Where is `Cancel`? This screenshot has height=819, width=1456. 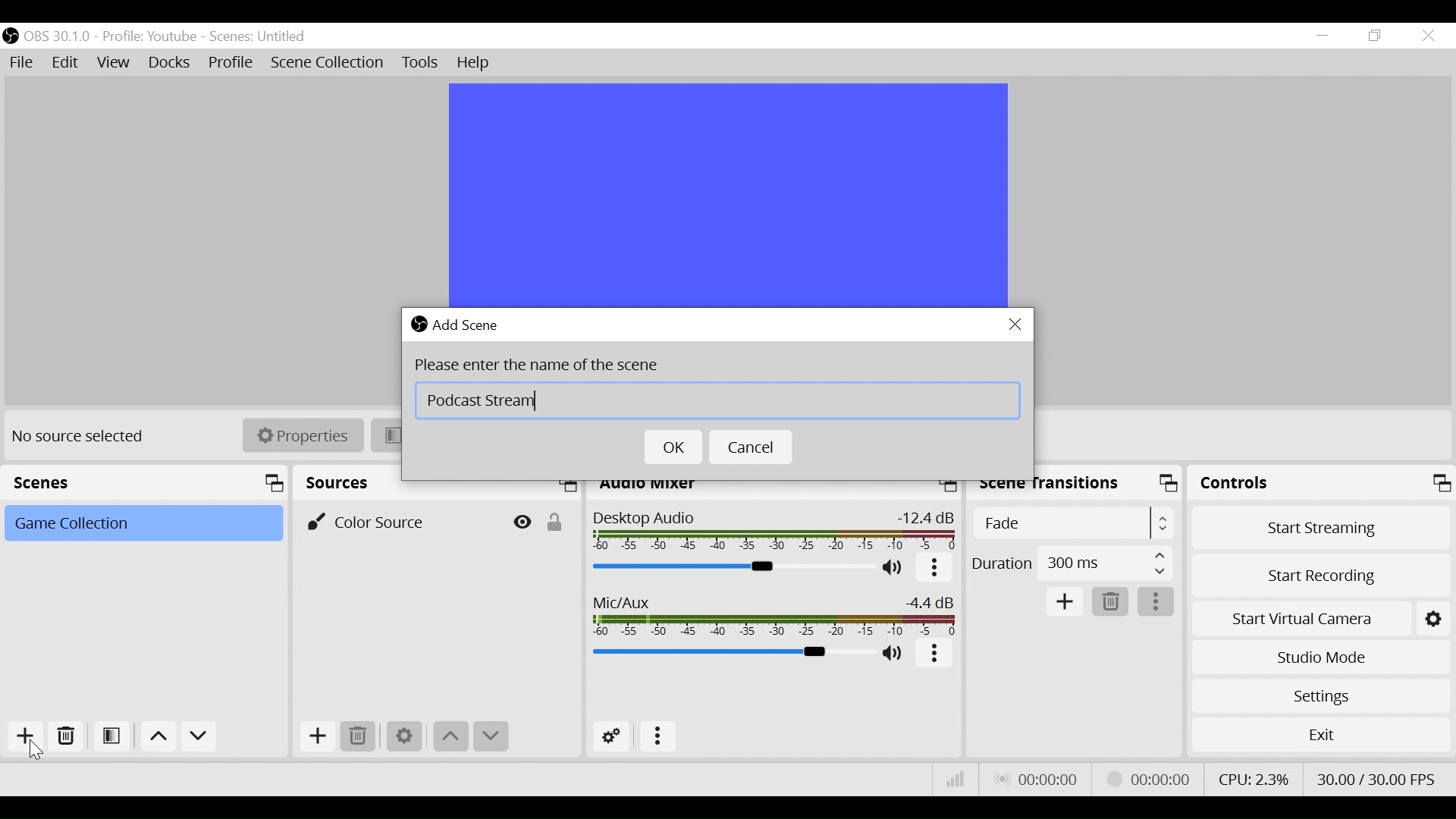
Cancel is located at coordinates (752, 447).